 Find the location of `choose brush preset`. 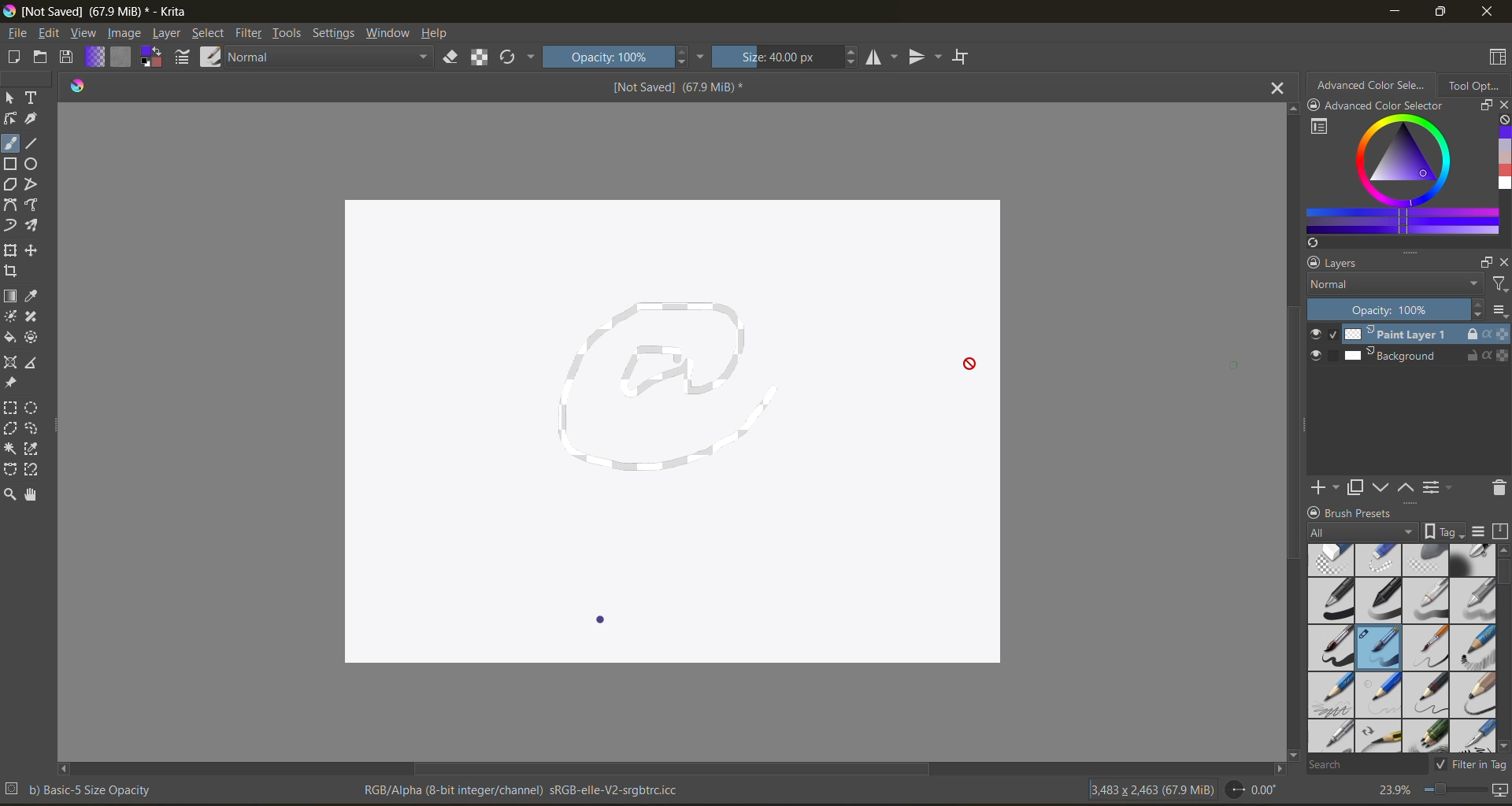

choose brush preset is located at coordinates (213, 57).